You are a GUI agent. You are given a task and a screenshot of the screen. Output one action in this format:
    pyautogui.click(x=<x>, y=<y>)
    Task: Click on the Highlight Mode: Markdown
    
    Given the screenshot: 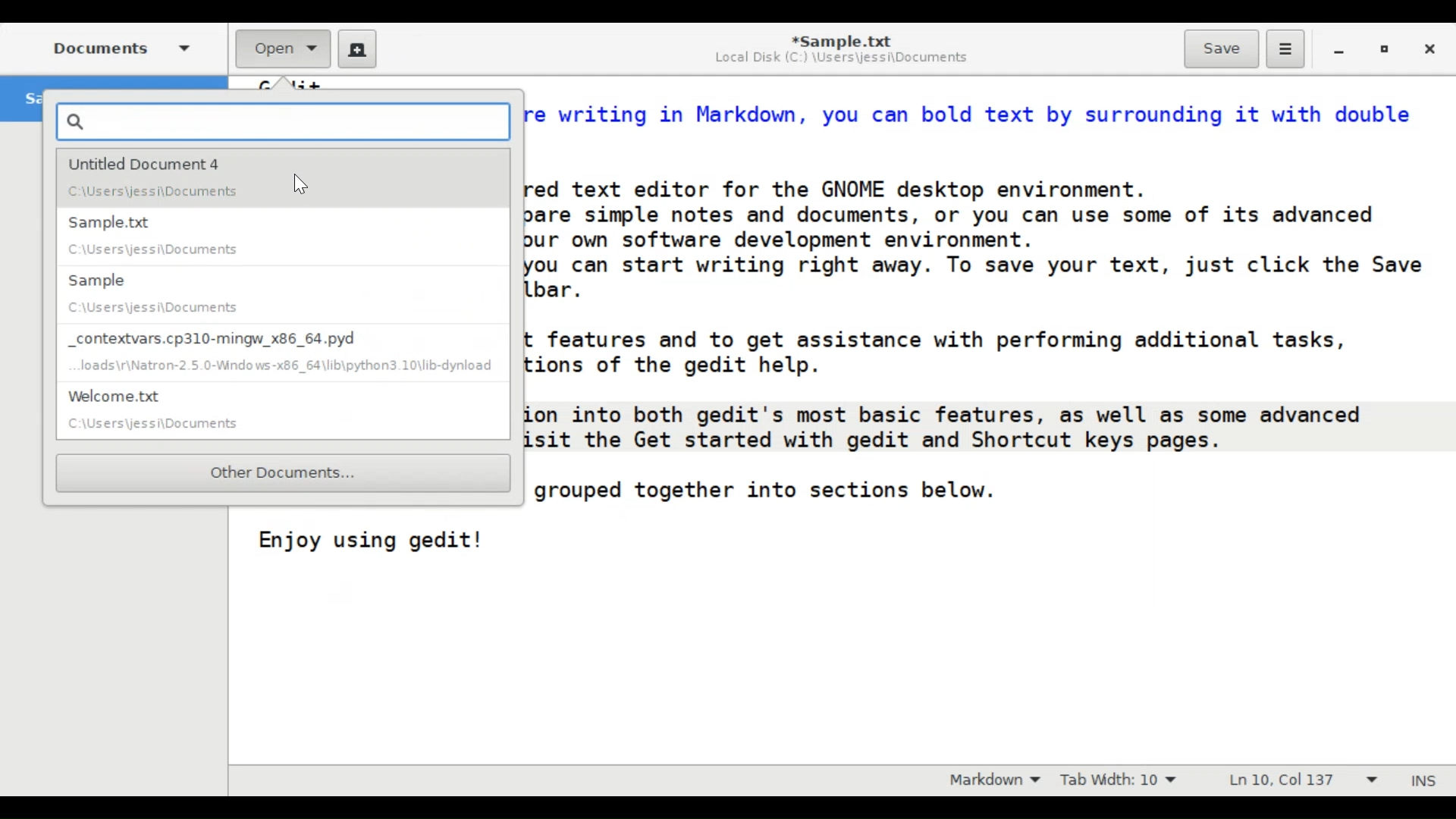 What is the action you would take?
    pyautogui.click(x=989, y=780)
    